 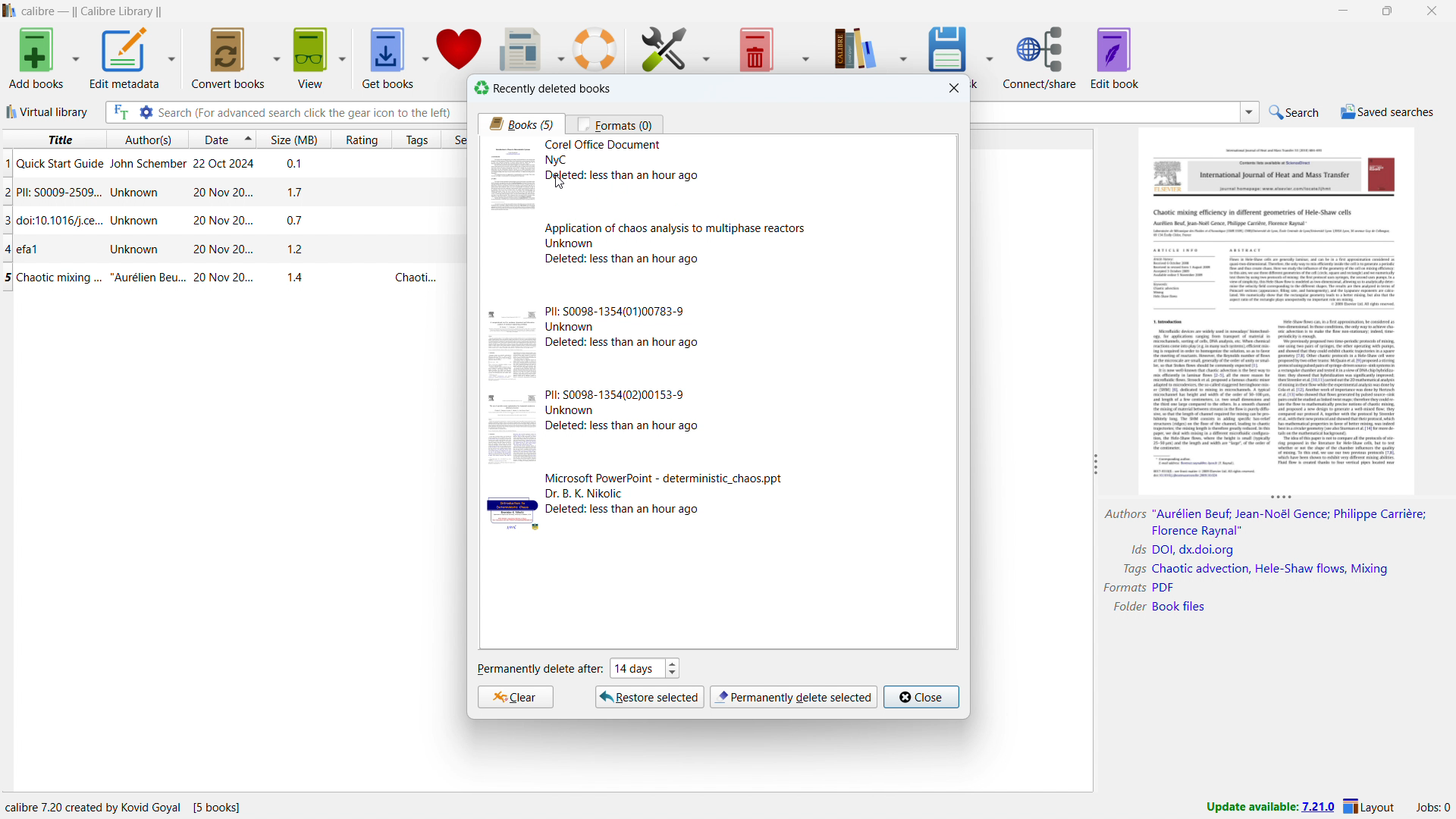 I want to click on fetch news options, so click(x=557, y=48).